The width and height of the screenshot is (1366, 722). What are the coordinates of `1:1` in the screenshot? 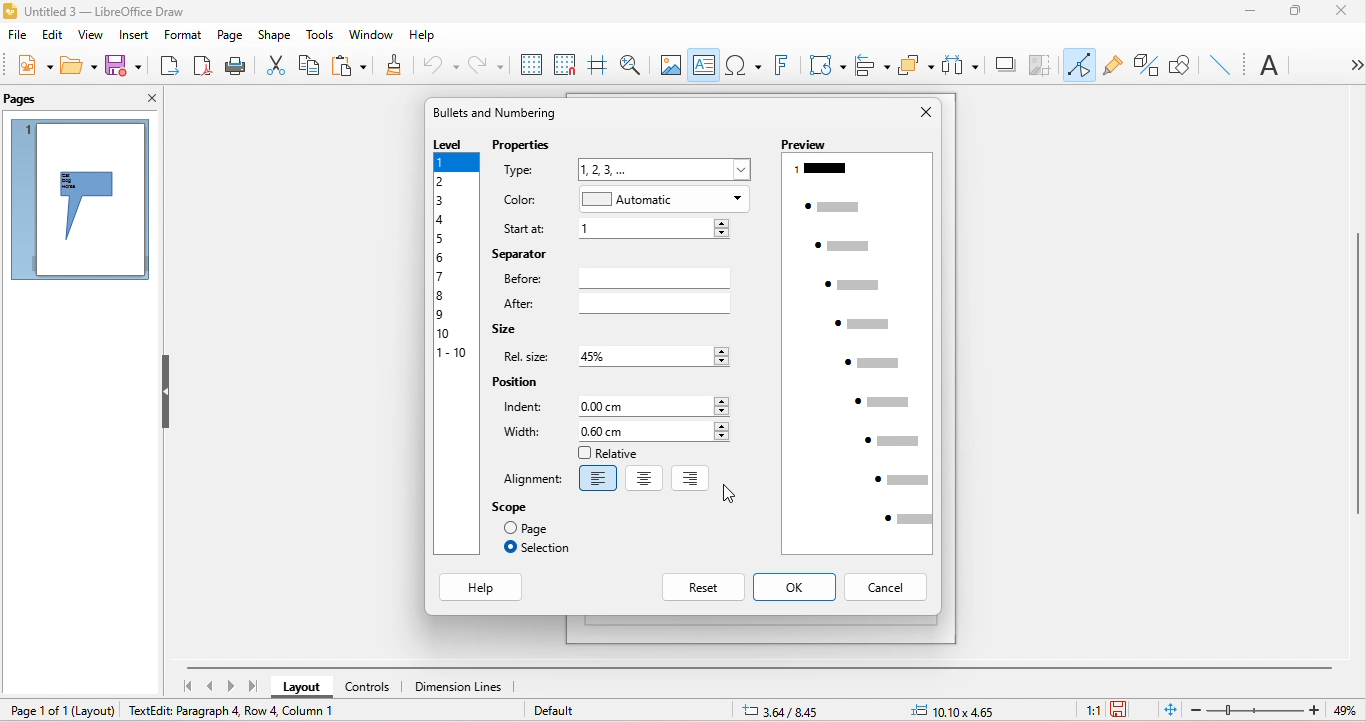 It's located at (1088, 710).